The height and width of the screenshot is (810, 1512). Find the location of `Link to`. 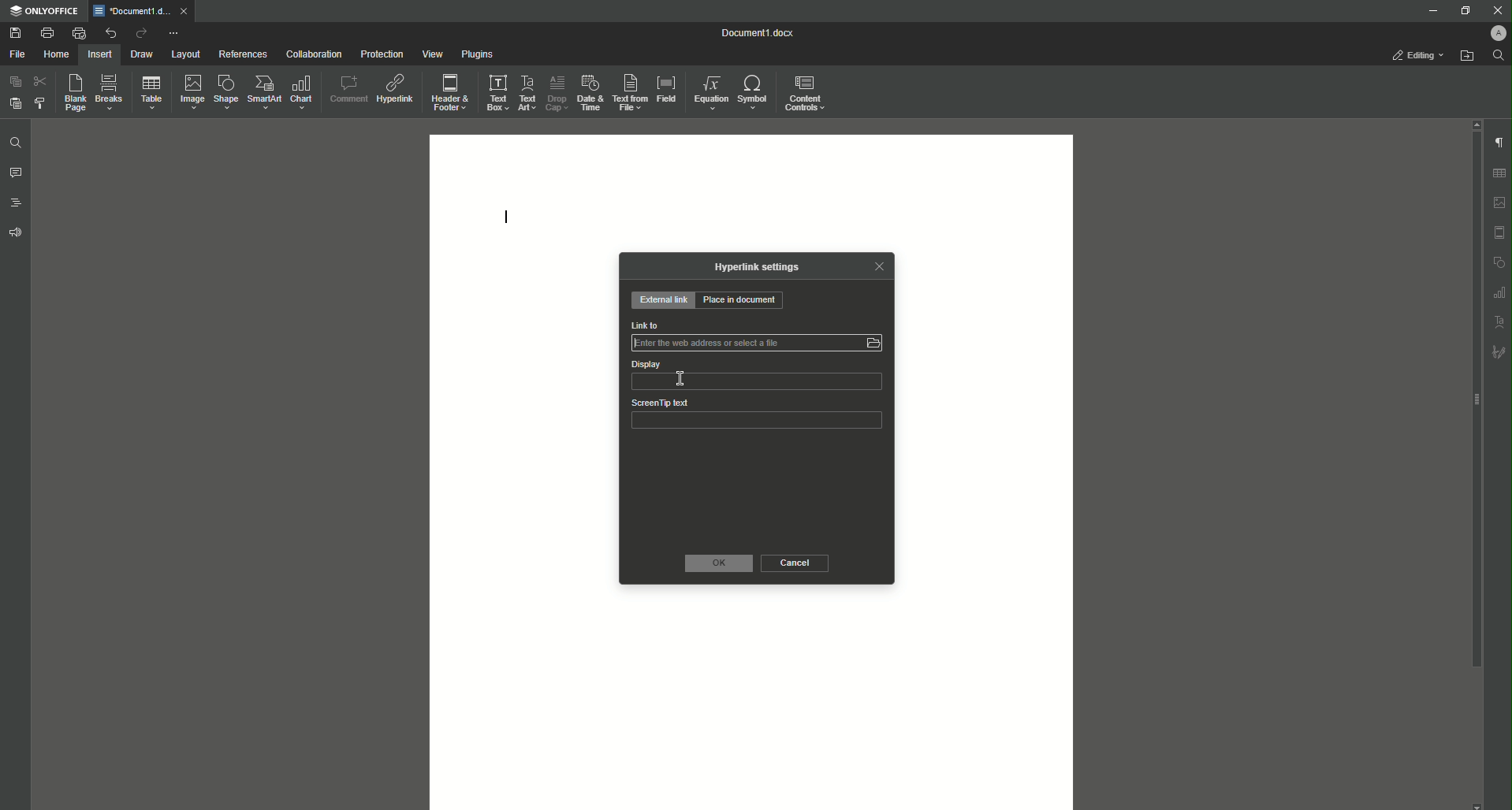

Link to is located at coordinates (645, 325).